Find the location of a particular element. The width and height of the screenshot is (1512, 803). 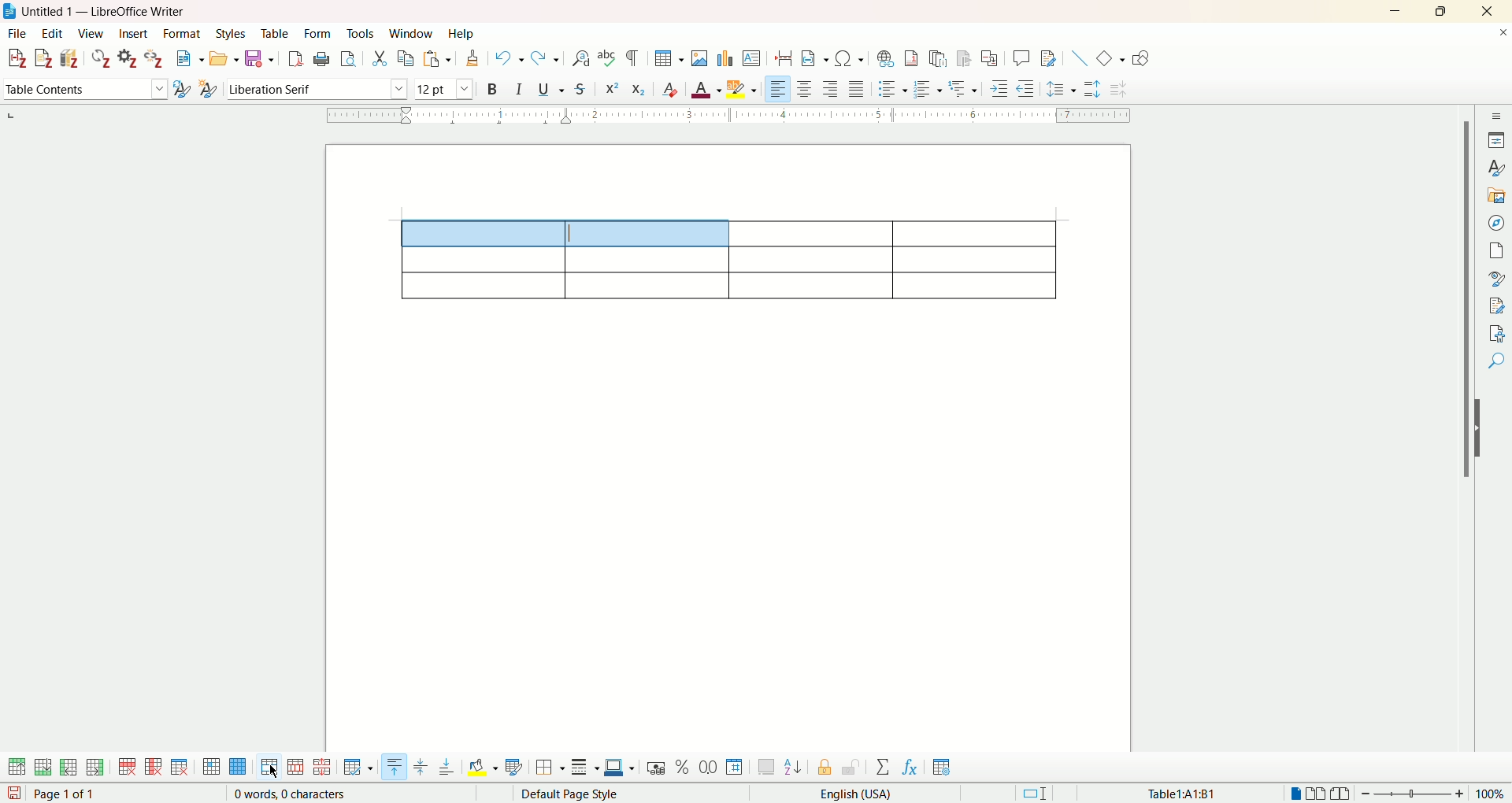

add citation is located at coordinates (16, 60).